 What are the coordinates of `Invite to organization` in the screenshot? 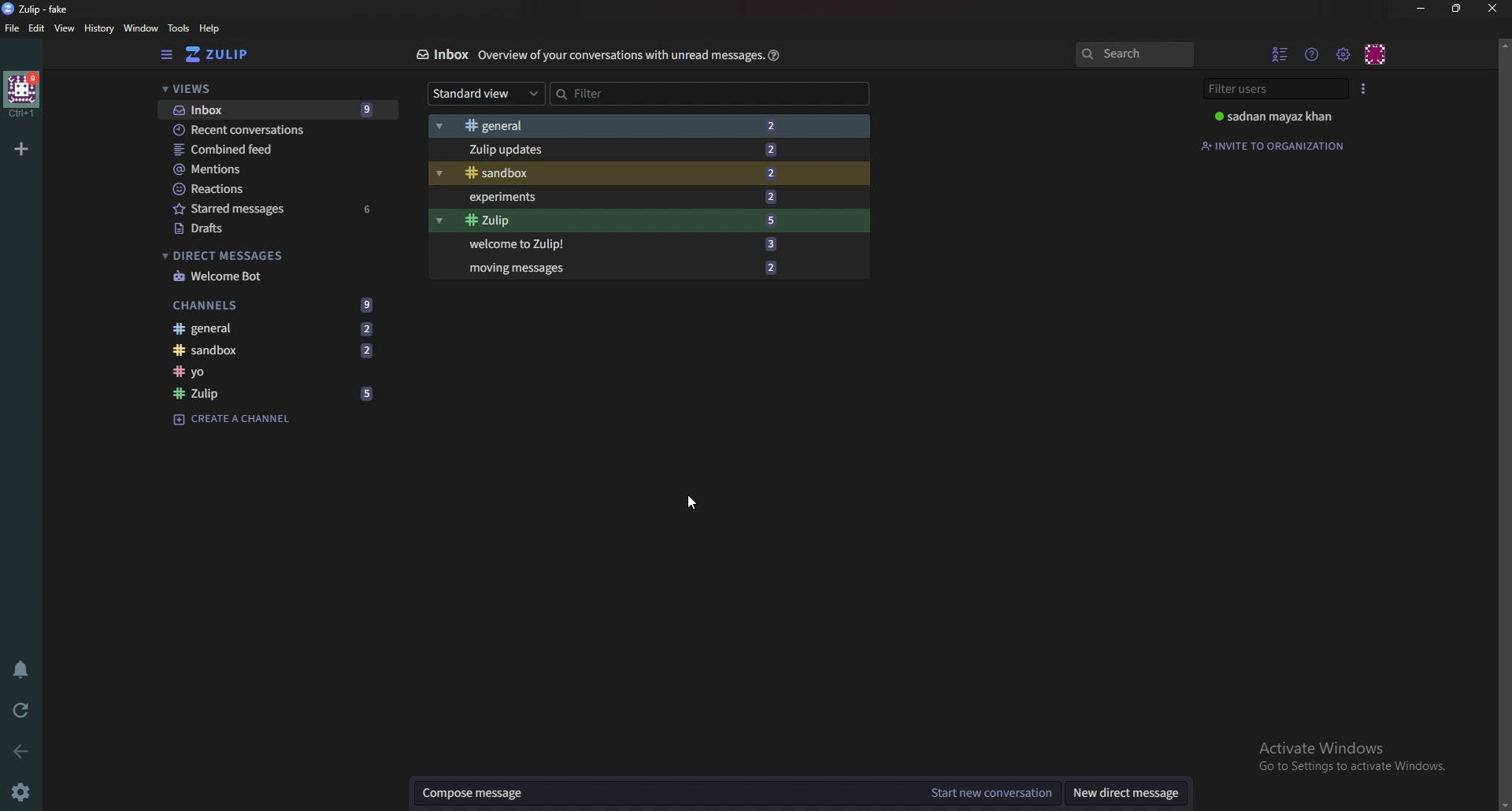 It's located at (1273, 145).